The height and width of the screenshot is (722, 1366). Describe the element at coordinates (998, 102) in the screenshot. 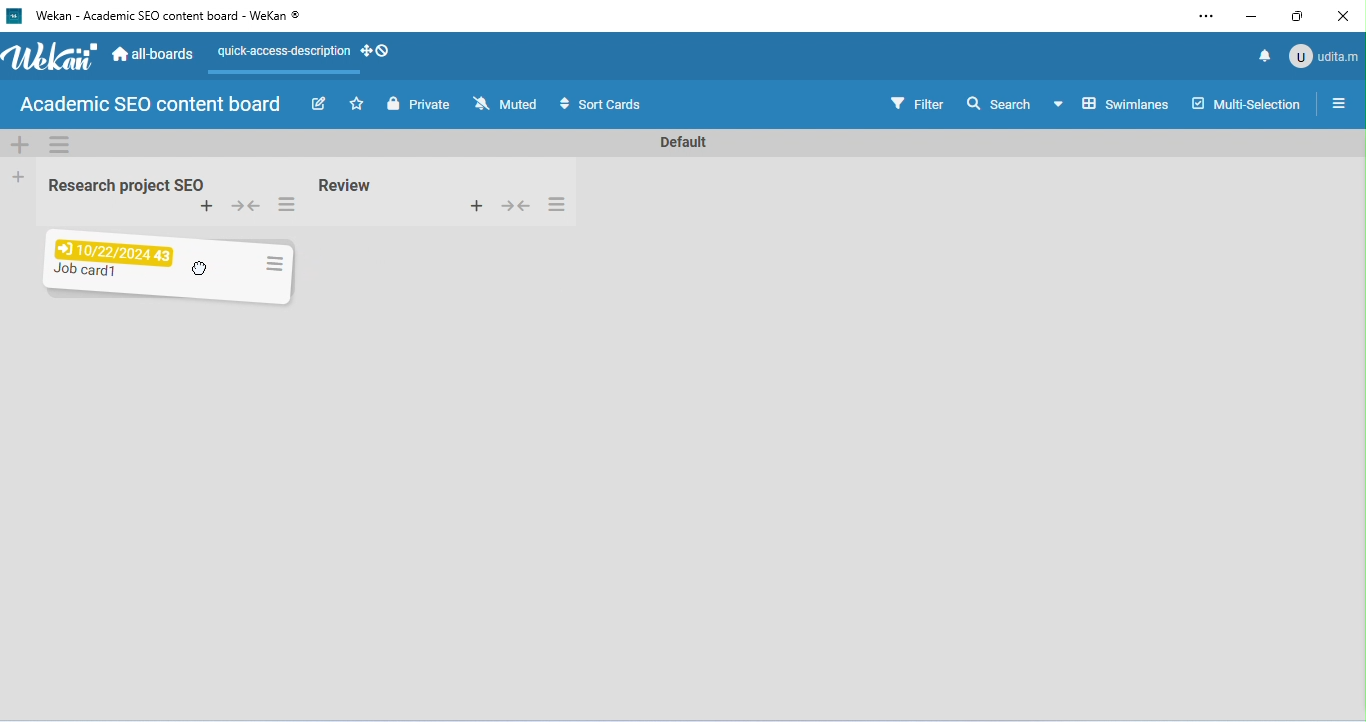

I see `search` at that location.